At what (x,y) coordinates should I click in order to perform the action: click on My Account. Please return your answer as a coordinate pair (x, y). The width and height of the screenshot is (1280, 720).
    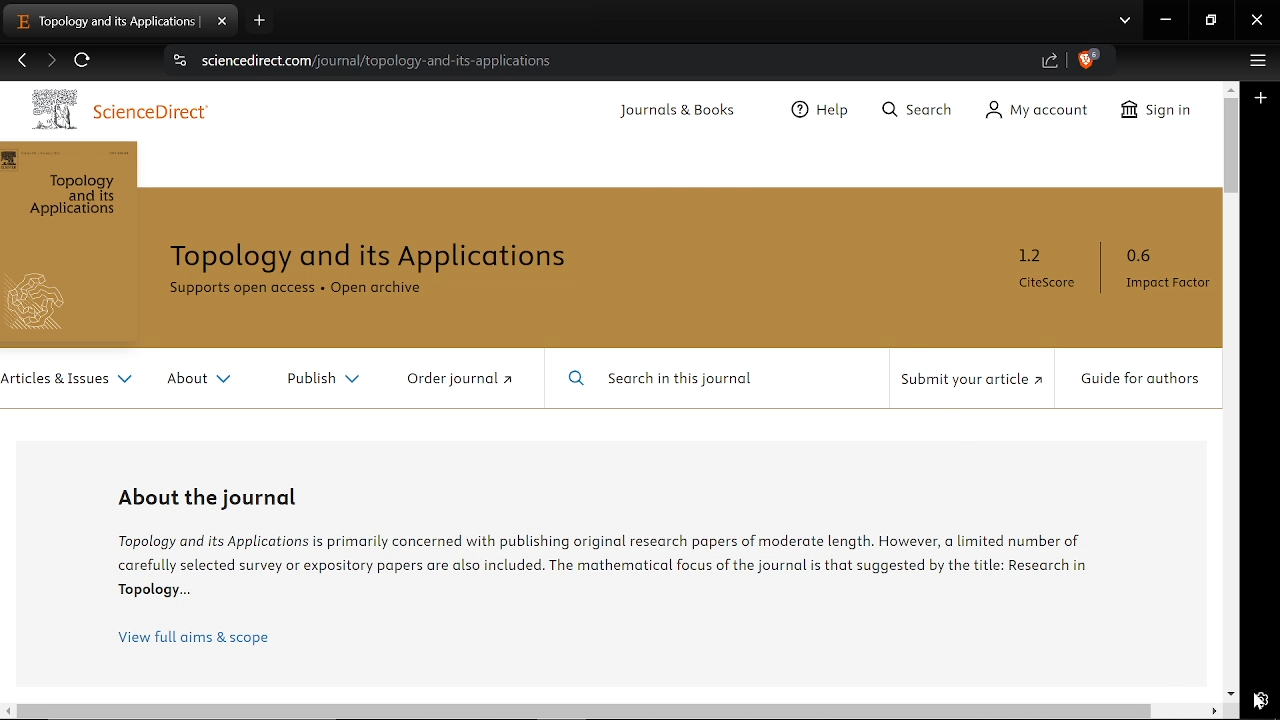
    Looking at the image, I should click on (1032, 112).